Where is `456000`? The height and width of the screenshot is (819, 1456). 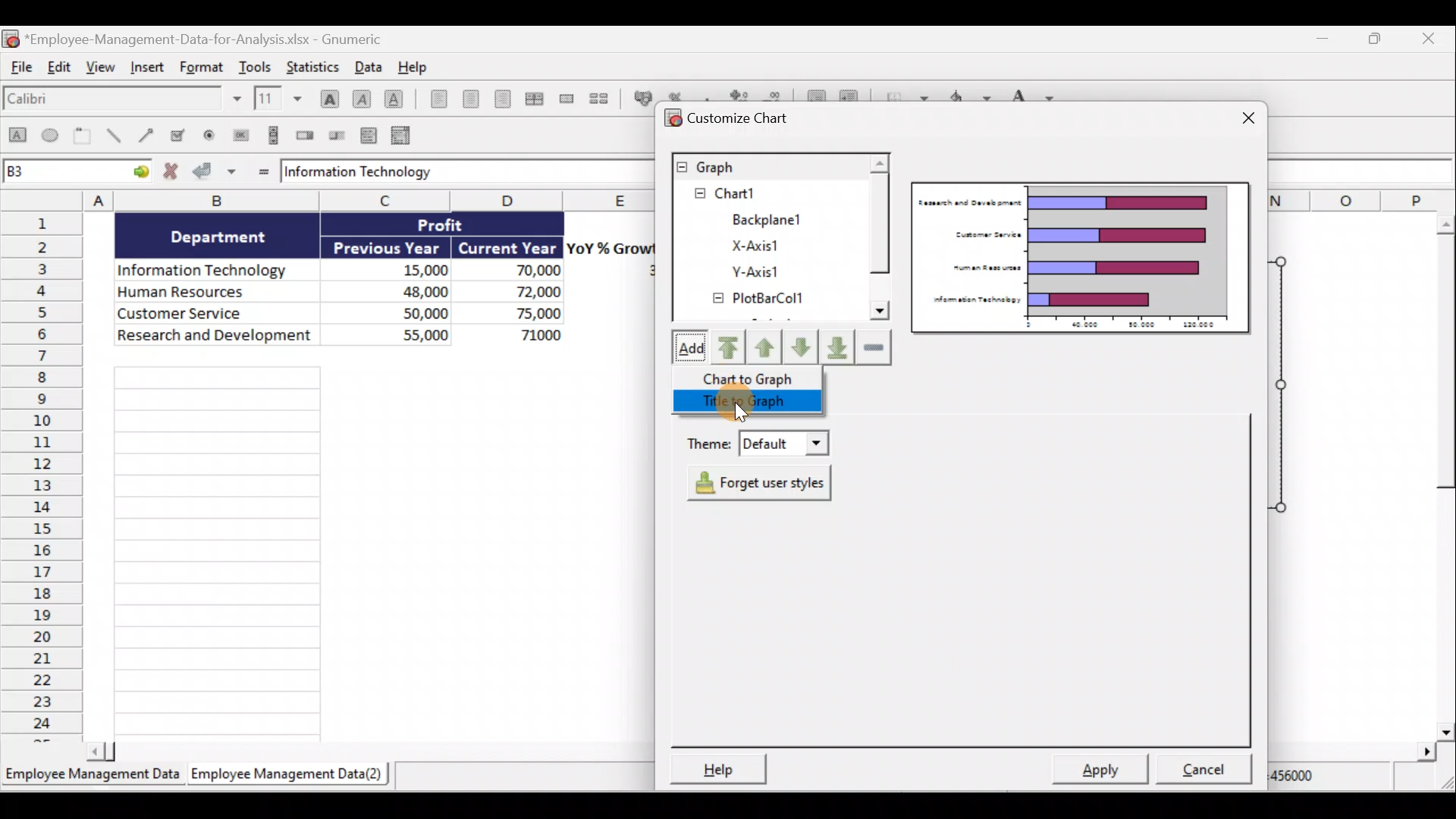
456000 is located at coordinates (1313, 777).